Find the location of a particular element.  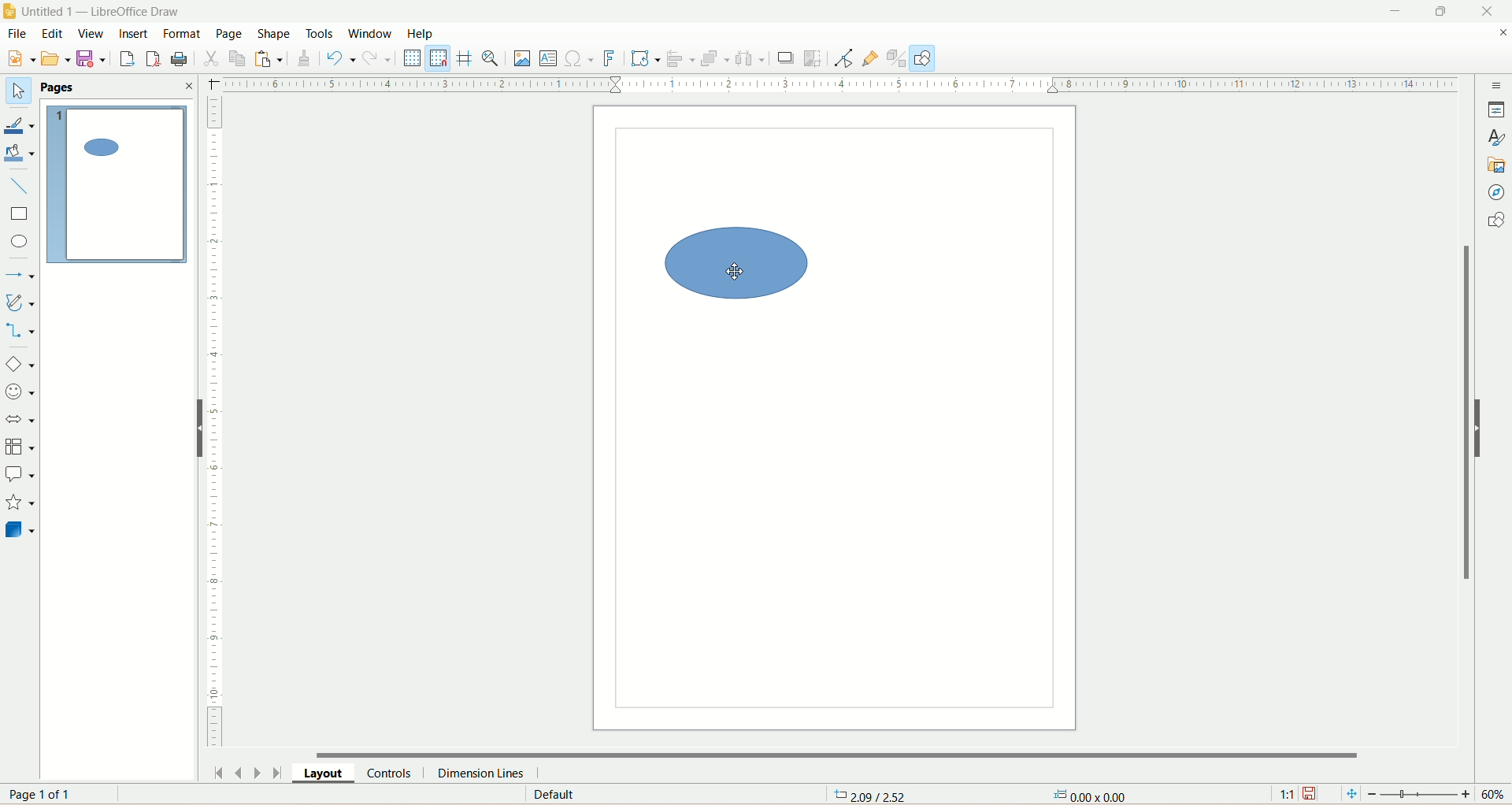

format is located at coordinates (186, 35).